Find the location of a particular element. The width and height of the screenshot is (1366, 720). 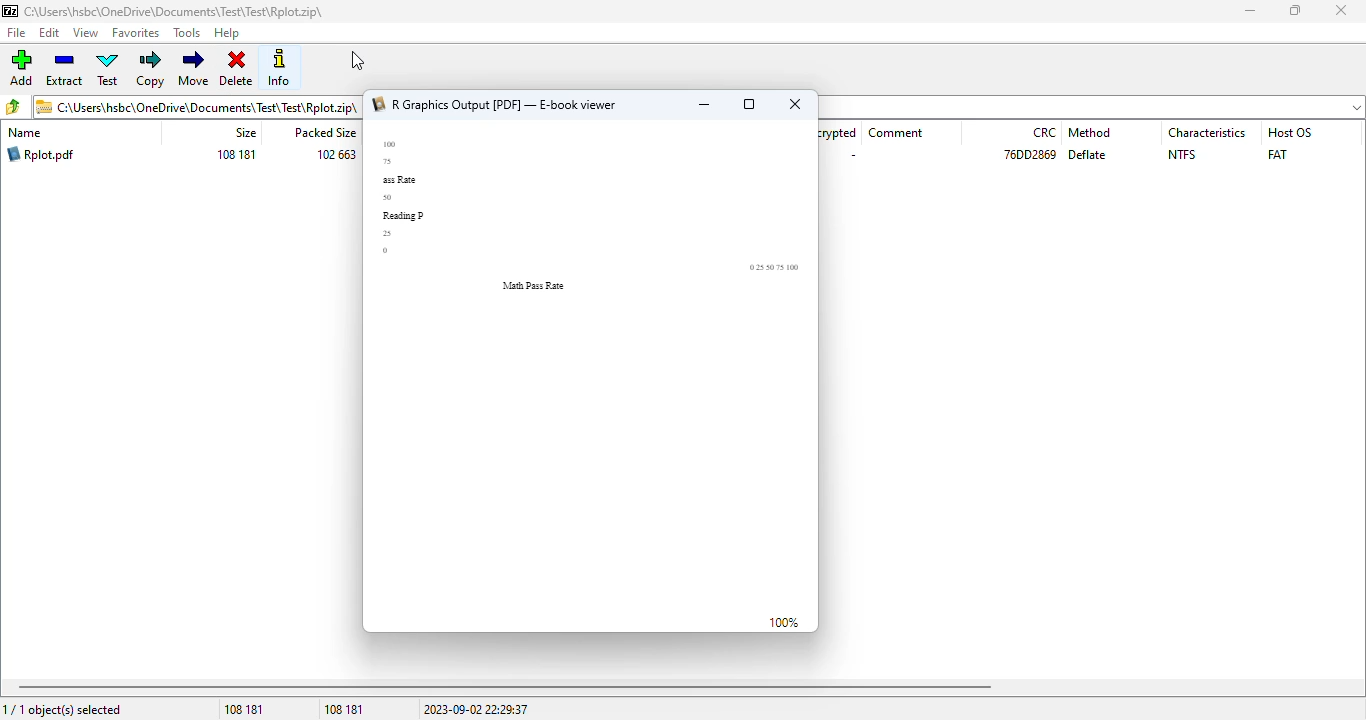

108 181 is located at coordinates (344, 709).